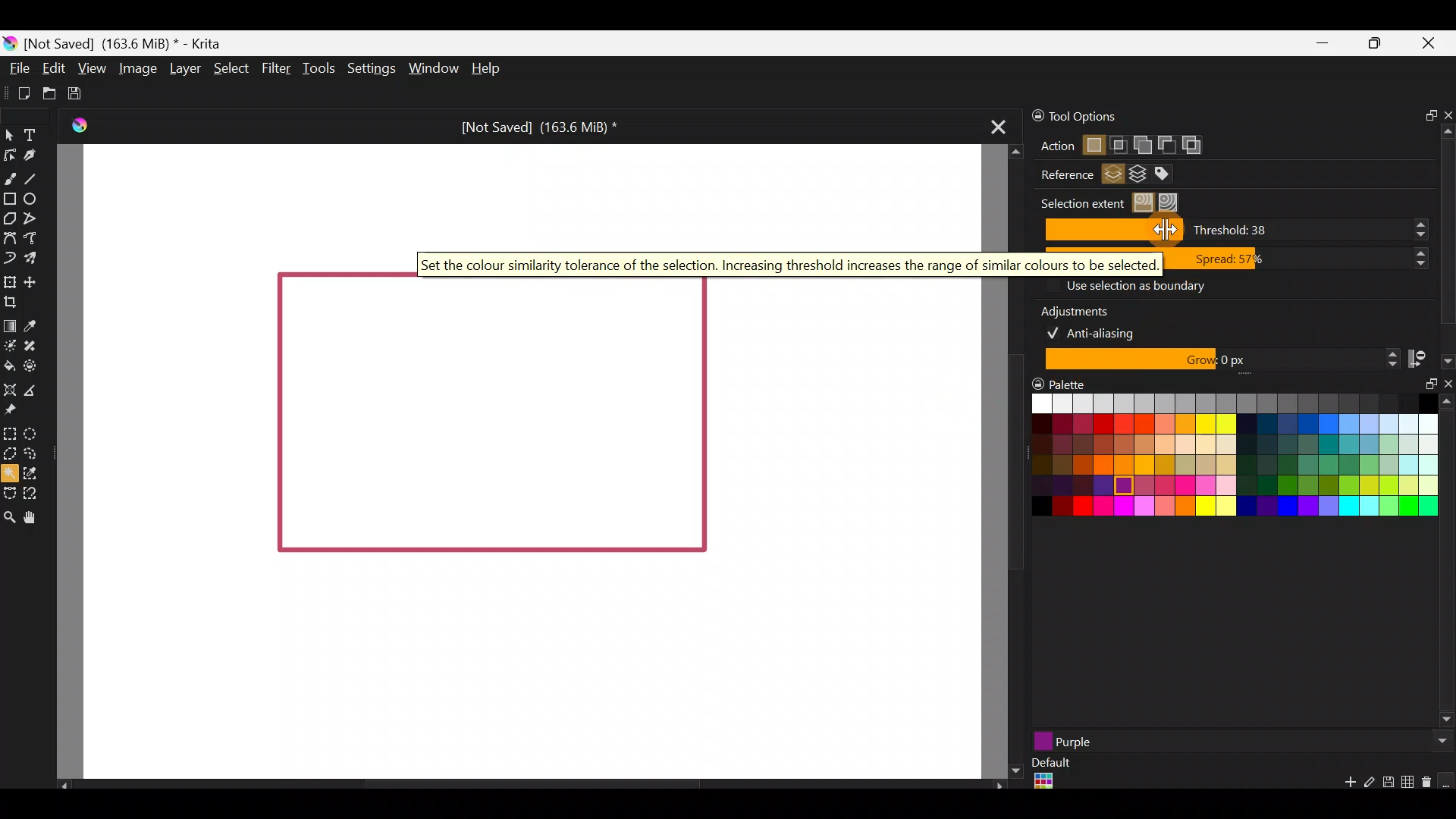  What do you see at coordinates (1138, 177) in the screenshot?
I see `Select regions from the merging of layers` at bounding box center [1138, 177].